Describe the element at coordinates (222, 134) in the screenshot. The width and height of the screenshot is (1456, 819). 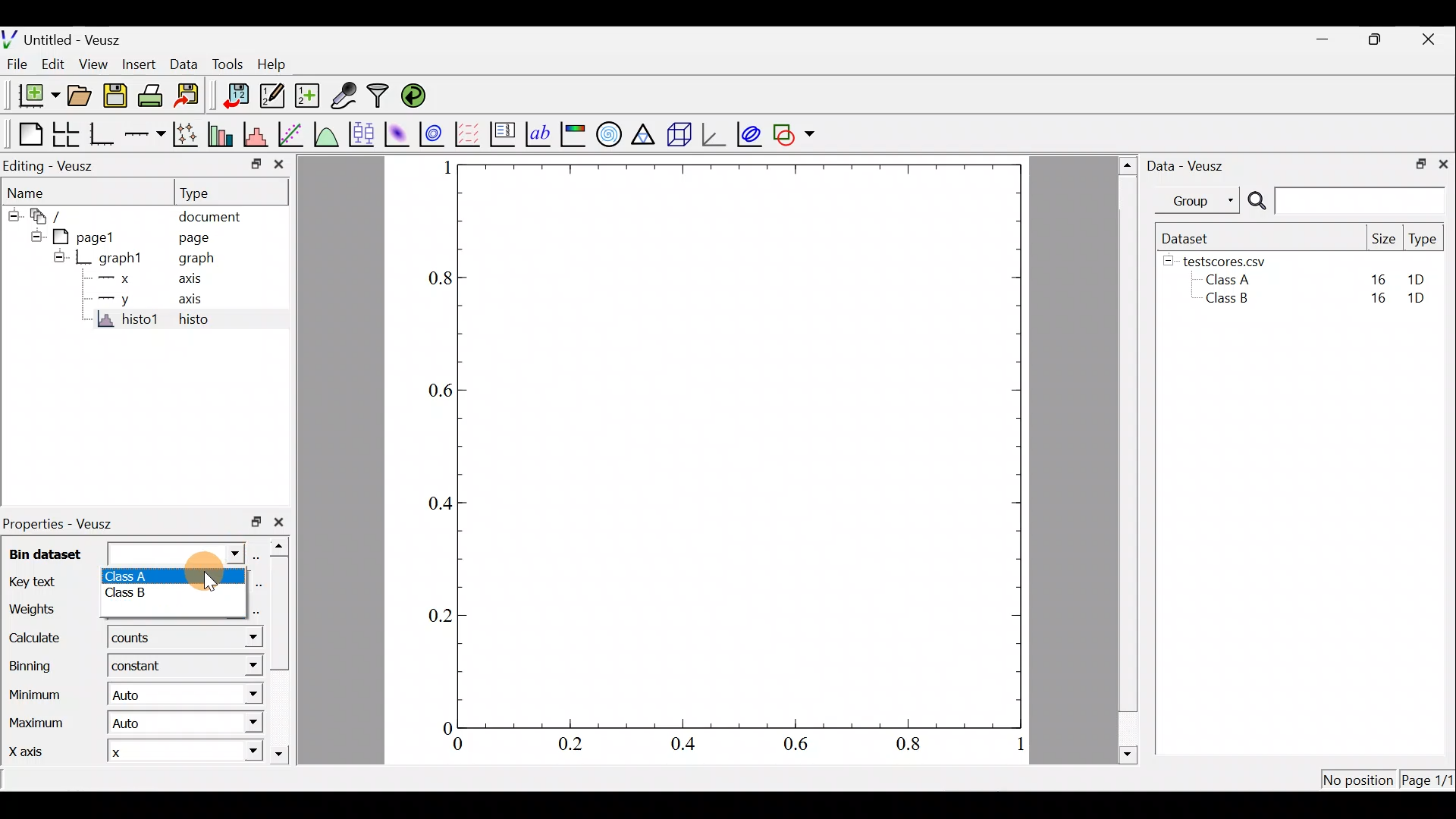
I see `Plot bar charts` at that location.